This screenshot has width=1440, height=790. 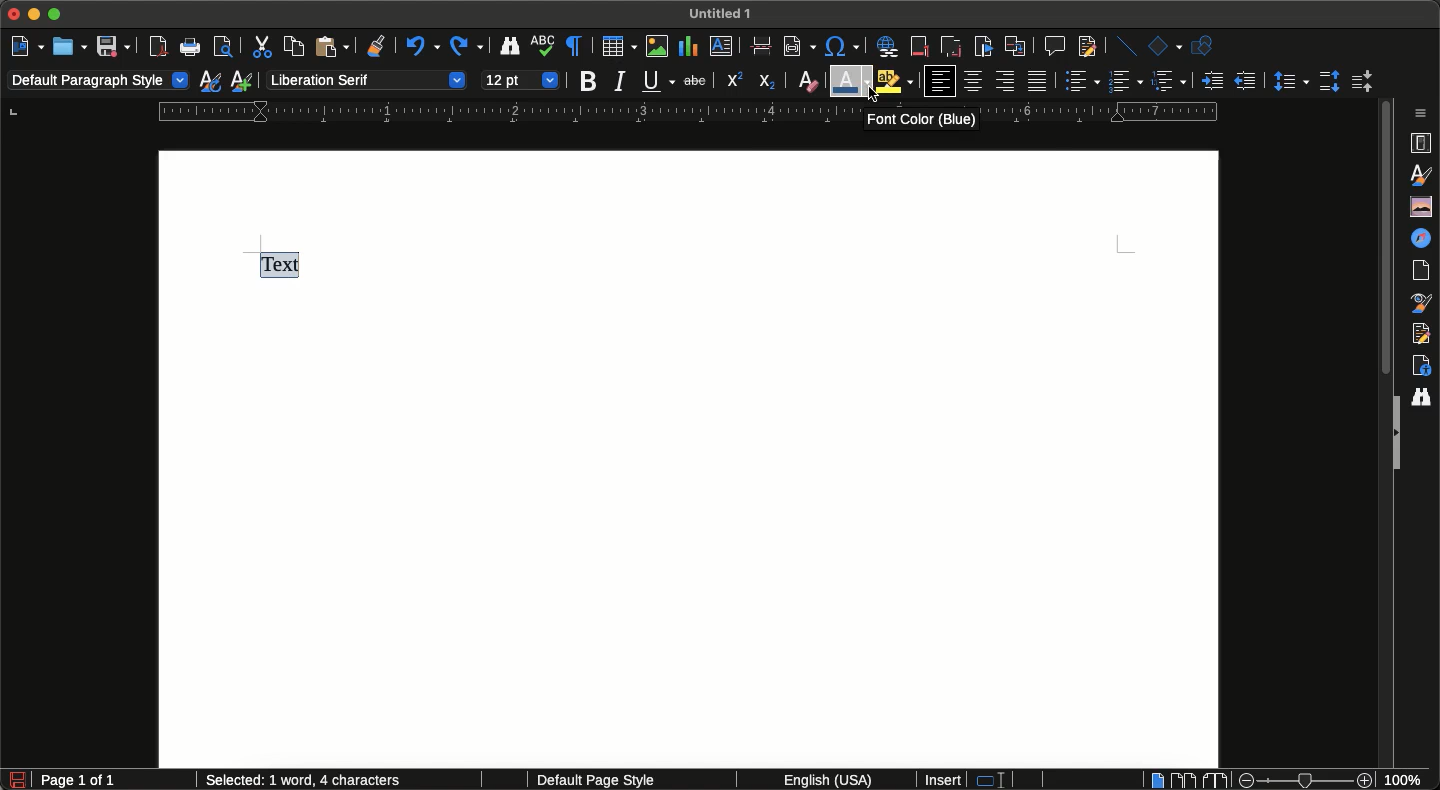 What do you see at coordinates (1394, 434) in the screenshot?
I see `Expand` at bounding box center [1394, 434].